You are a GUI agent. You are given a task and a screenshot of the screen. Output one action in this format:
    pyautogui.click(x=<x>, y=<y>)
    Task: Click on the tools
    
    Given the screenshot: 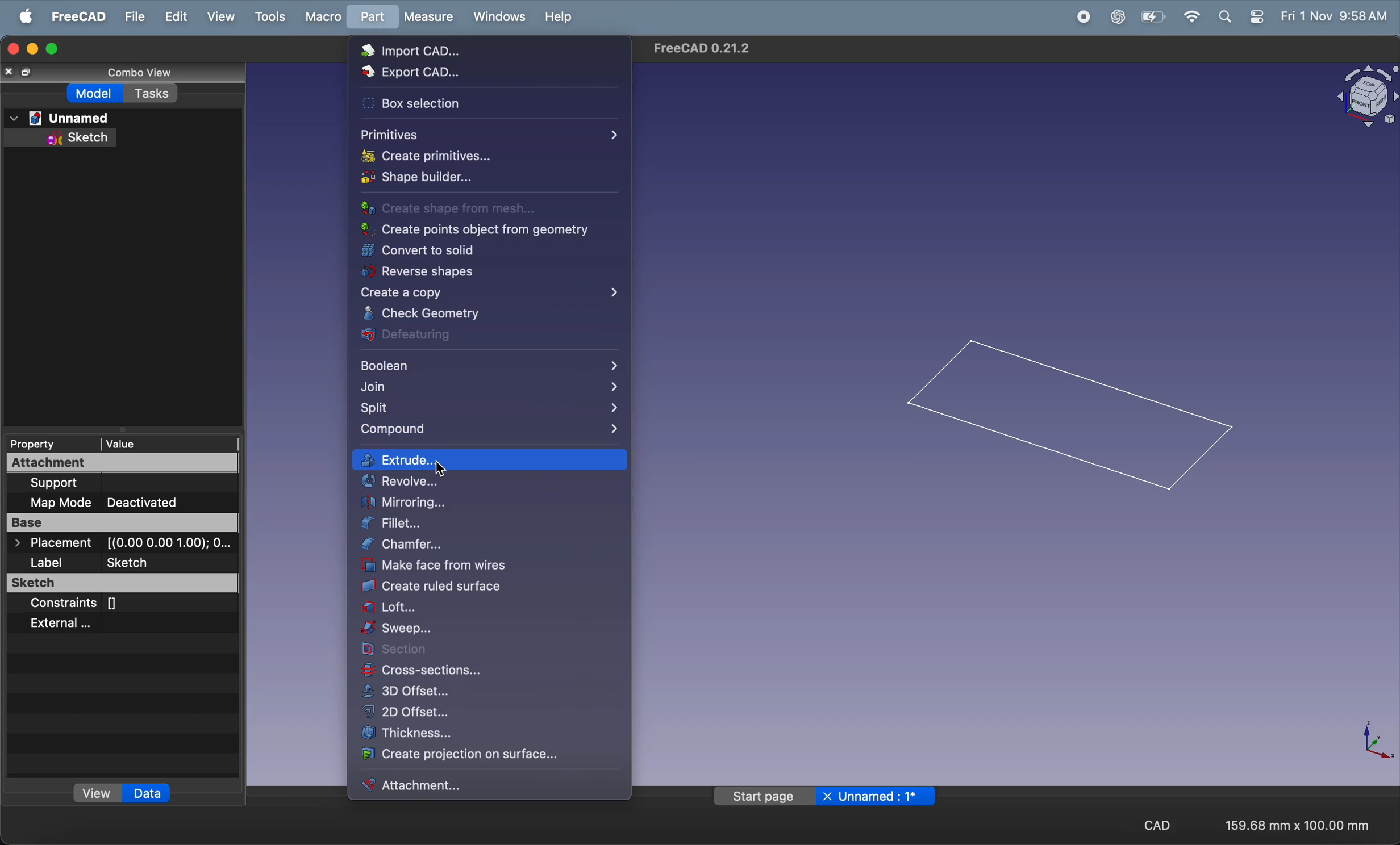 What is the action you would take?
    pyautogui.click(x=265, y=16)
    